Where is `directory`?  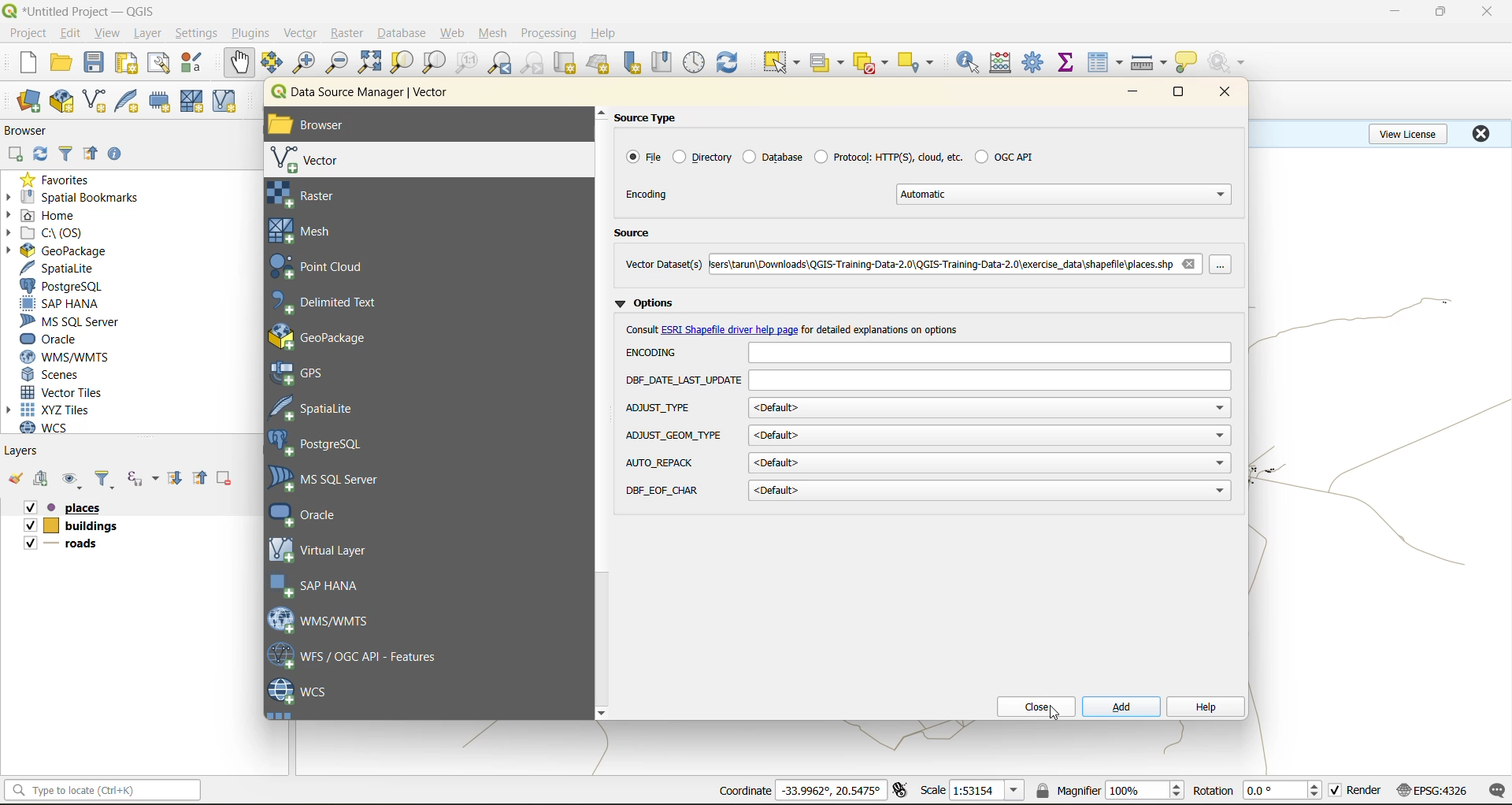
directory is located at coordinates (703, 157).